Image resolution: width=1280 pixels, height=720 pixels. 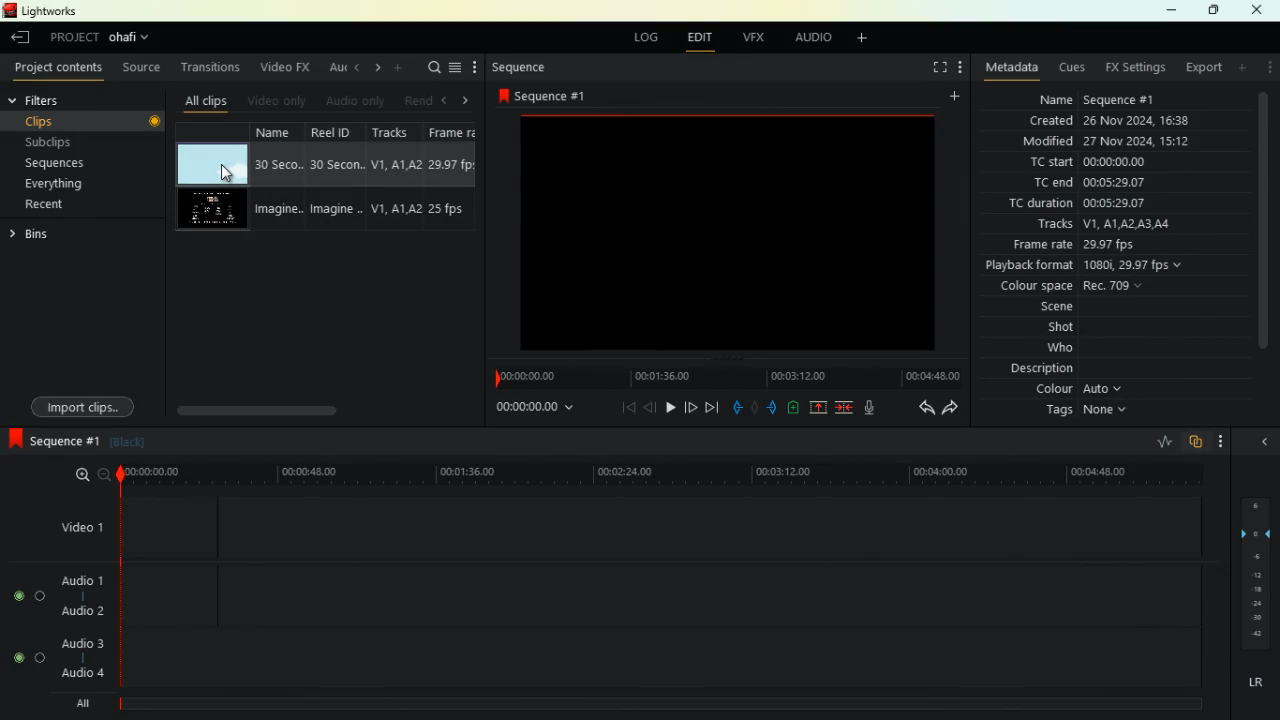 What do you see at coordinates (1060, 307) in the screenshot?
I see `scene` at bounding box center [1060, 307].